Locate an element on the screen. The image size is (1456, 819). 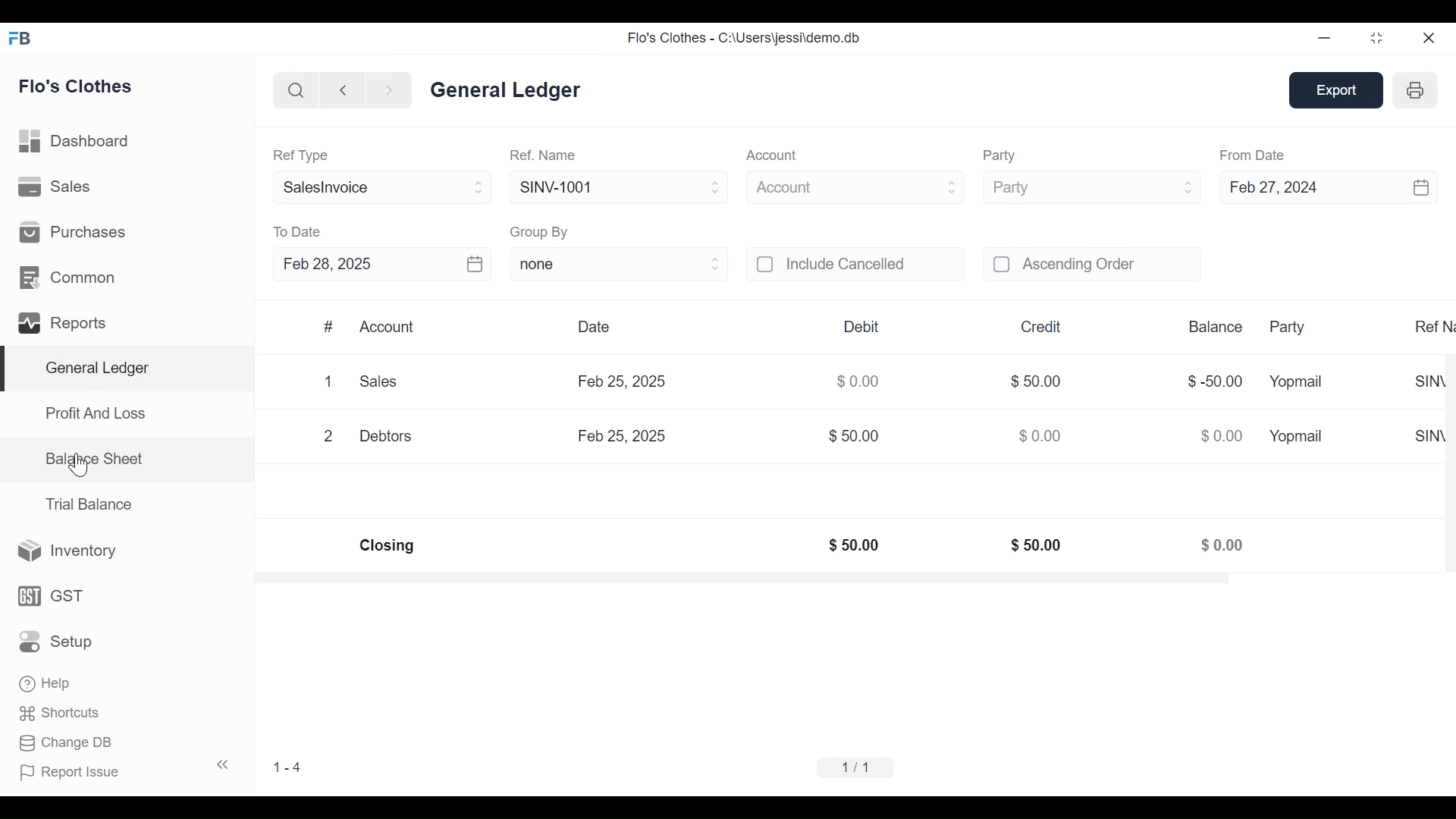
Group By is located at coordinates (541, 232).